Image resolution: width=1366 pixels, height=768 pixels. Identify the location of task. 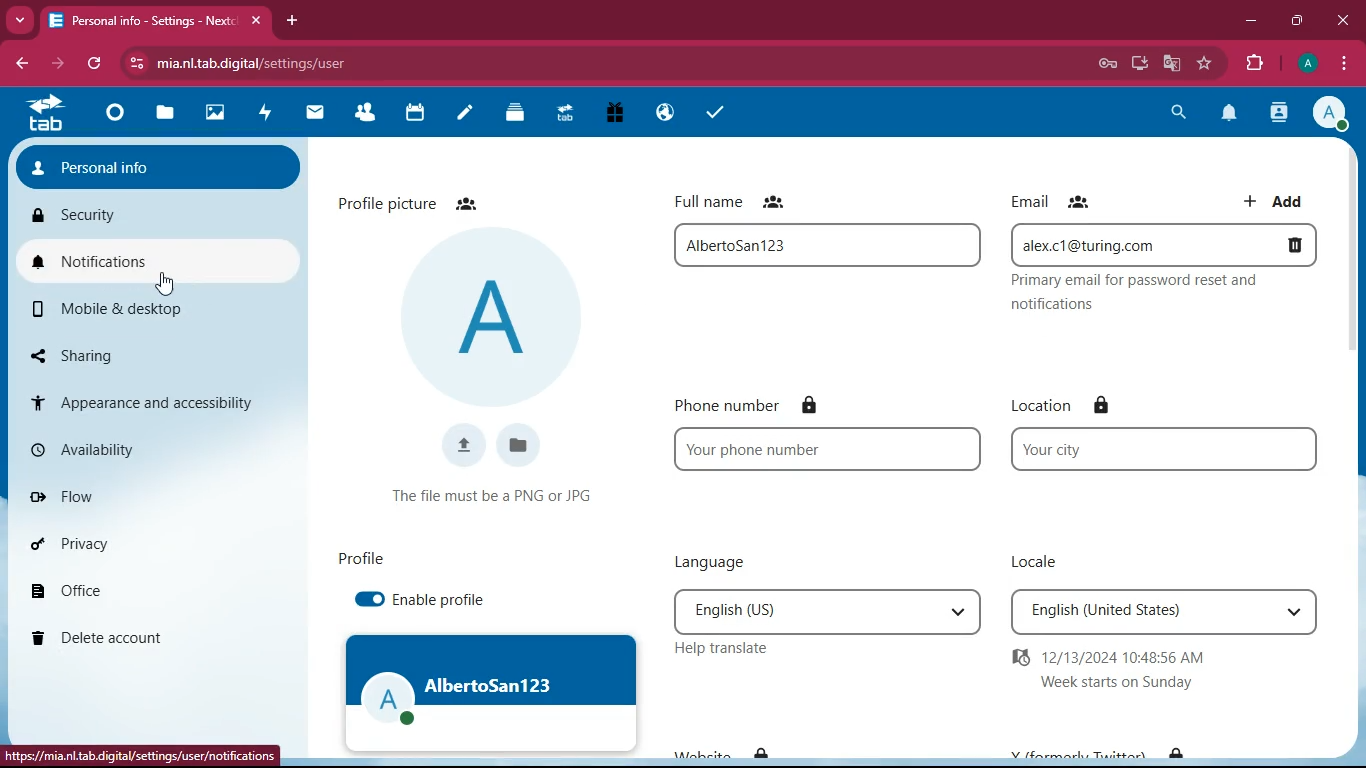
(720, 115).